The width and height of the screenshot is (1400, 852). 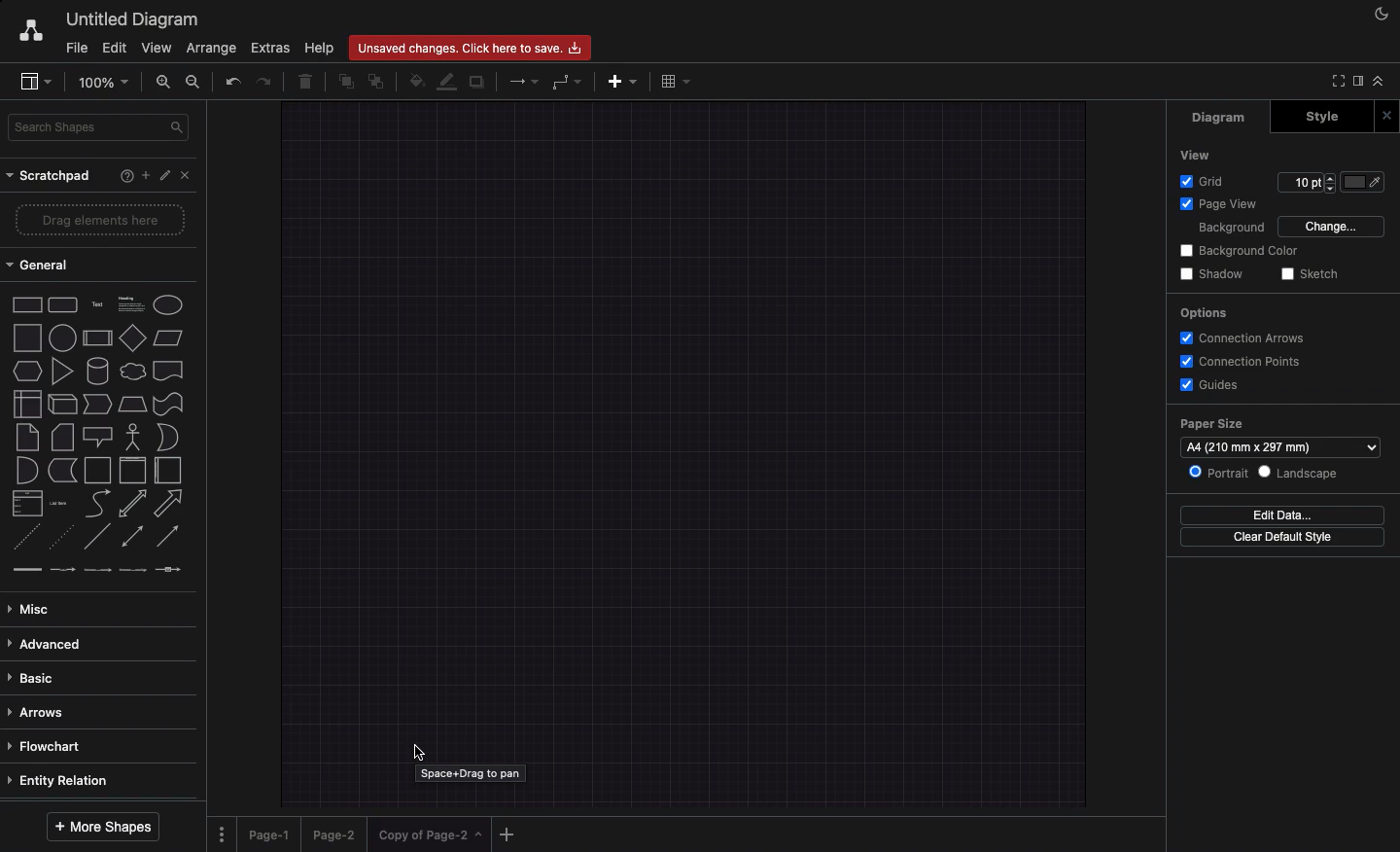 I want to click on Options, so click(x=220, y=834).